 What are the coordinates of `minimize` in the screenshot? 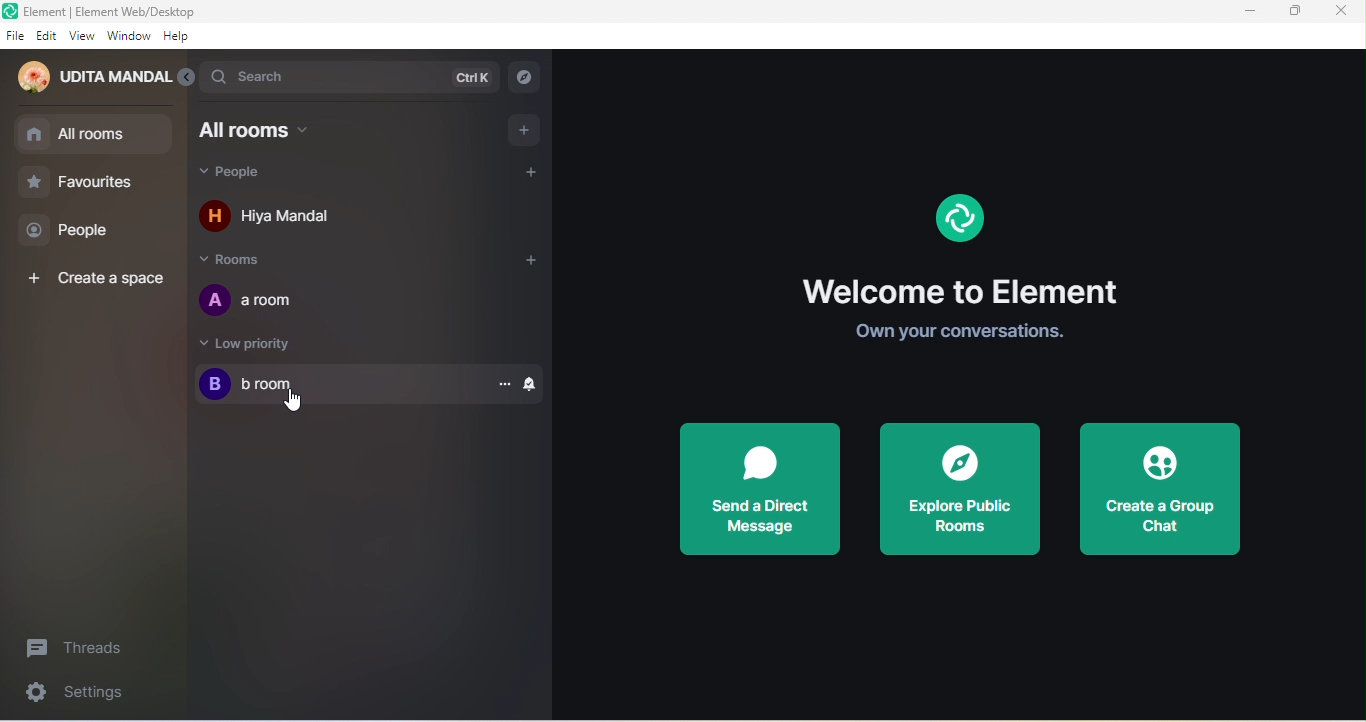 It's located at (1250, 11).